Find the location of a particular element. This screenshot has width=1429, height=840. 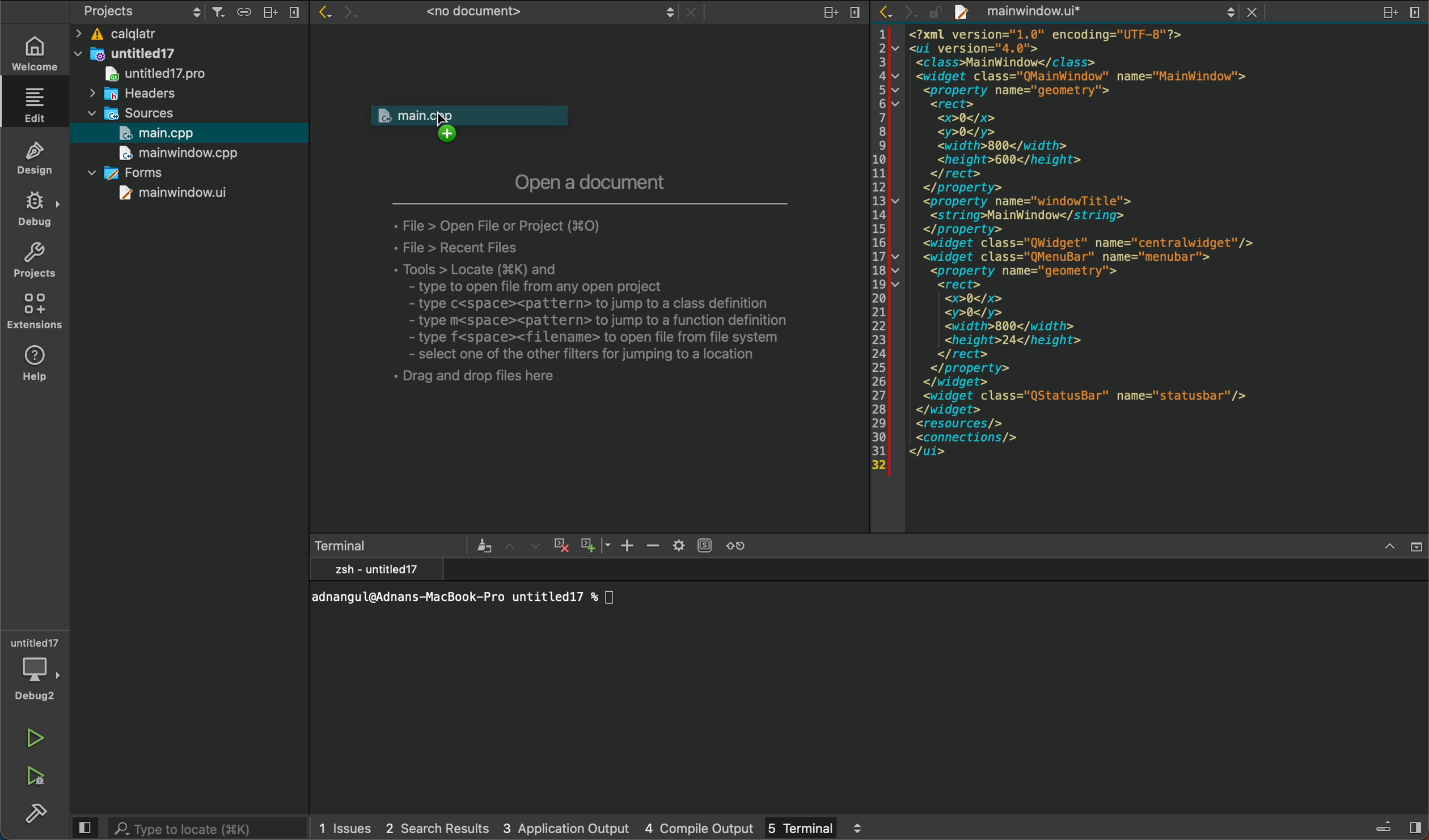

run  is located at coordinates (37, 740).